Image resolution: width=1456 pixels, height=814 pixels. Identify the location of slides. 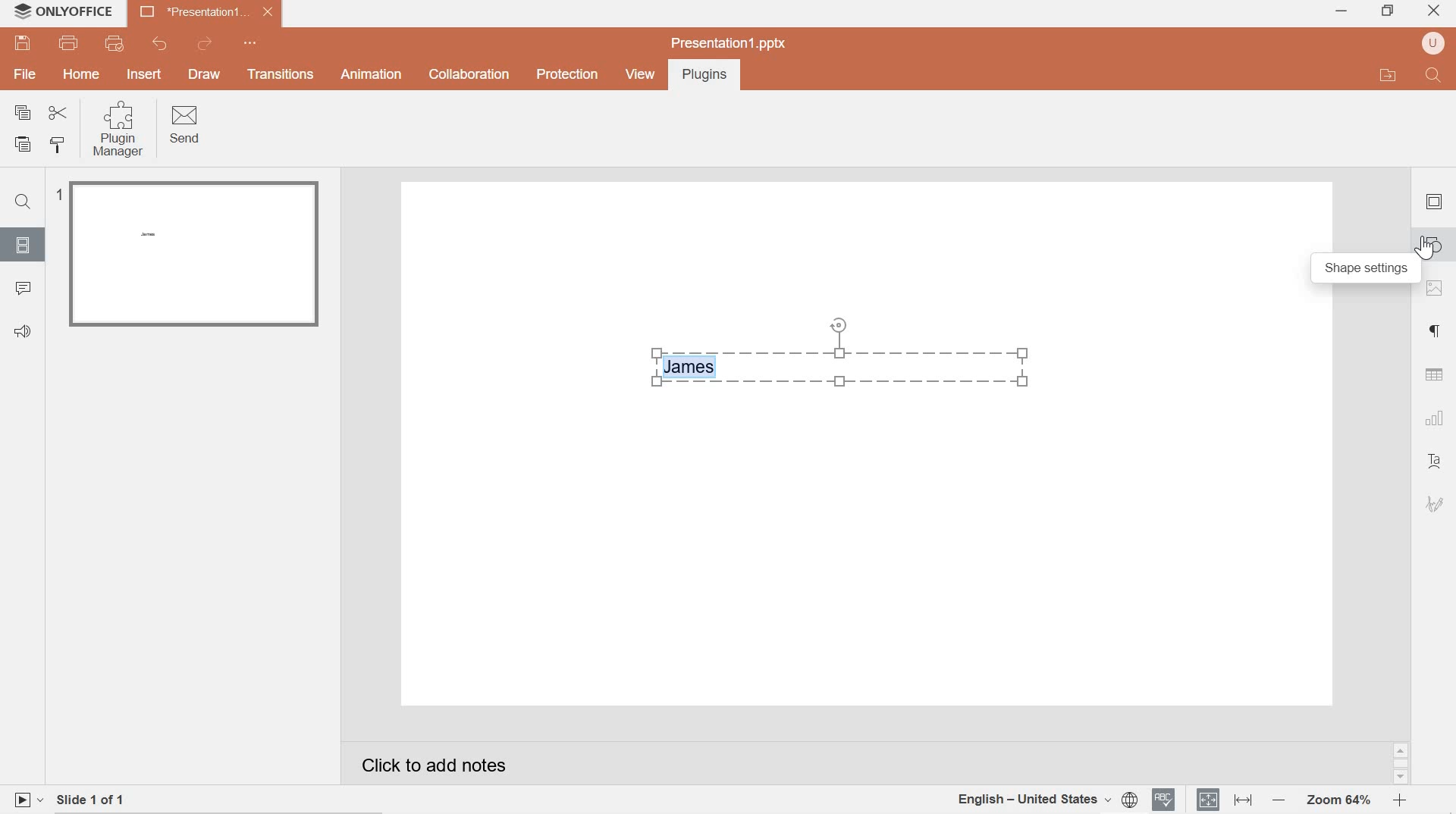
(24, 245).